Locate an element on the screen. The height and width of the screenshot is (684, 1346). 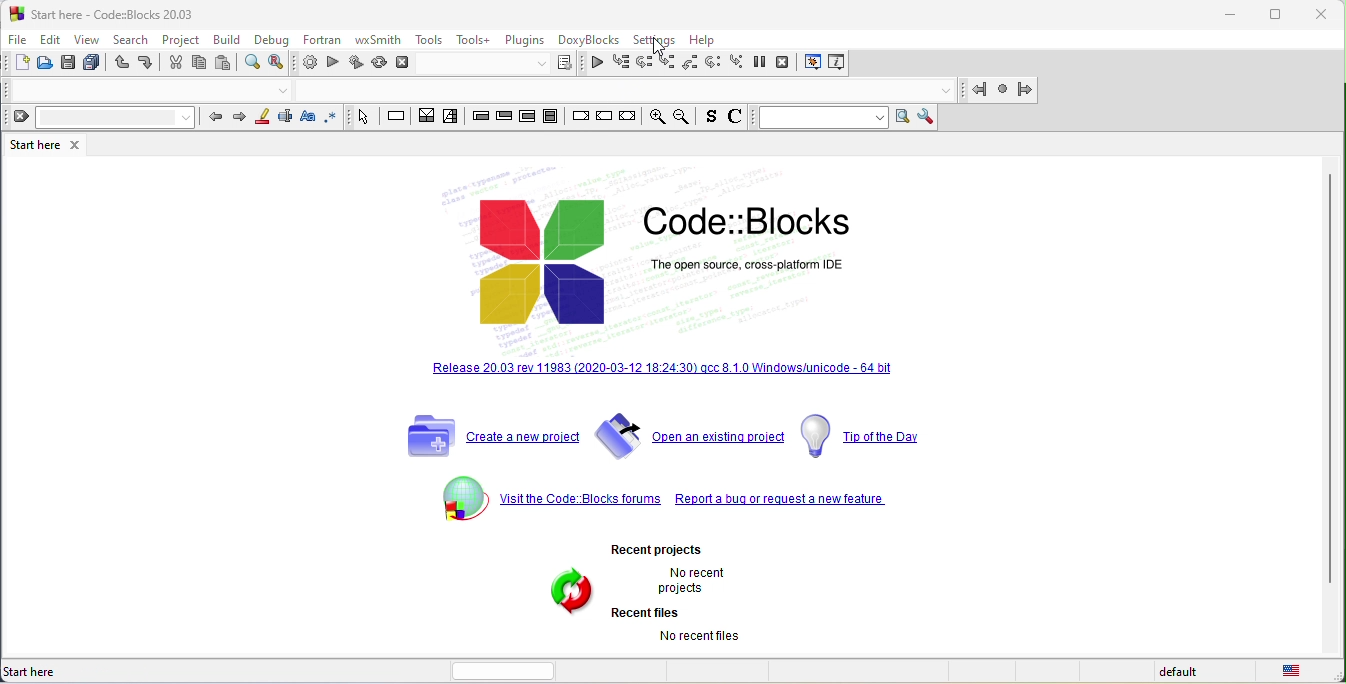
redo is located at coordinates (149, 64).